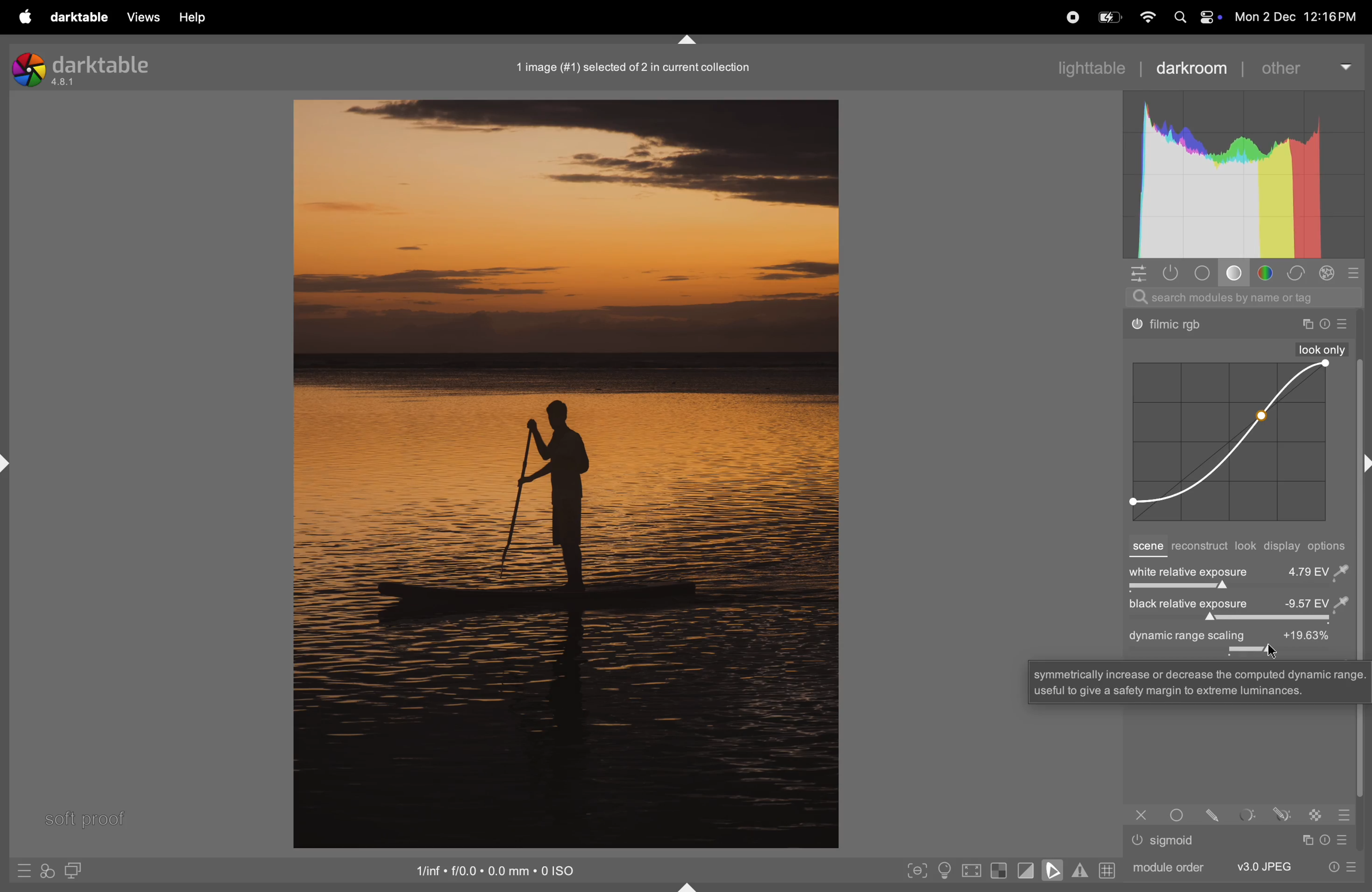 The image size is (1372, 892). Describe the element at coordinates (1171, 326) in the screenshot. I see `` at that location.